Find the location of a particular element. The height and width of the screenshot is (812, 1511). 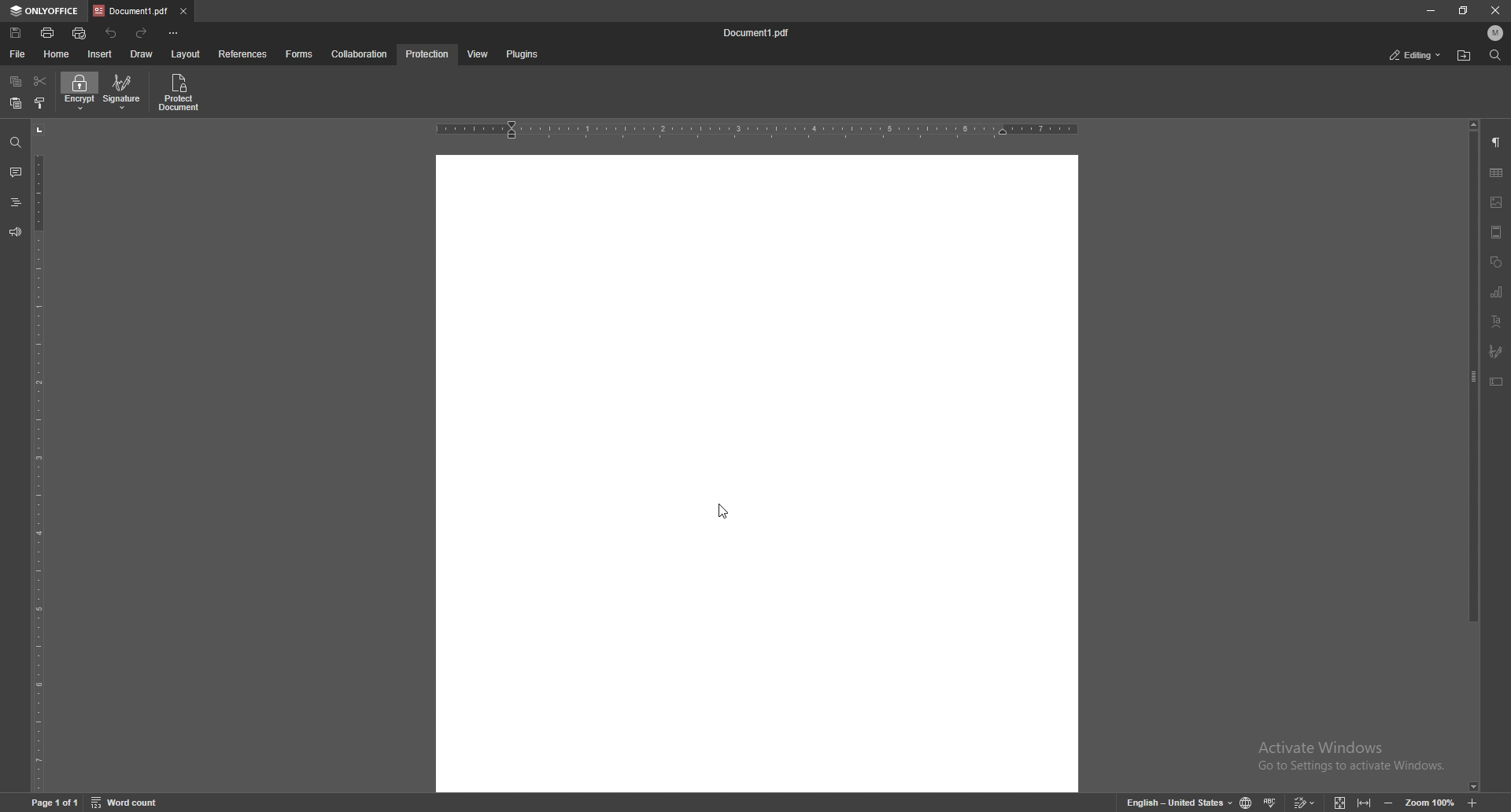

encrypt is located at coordinates (79, 92).